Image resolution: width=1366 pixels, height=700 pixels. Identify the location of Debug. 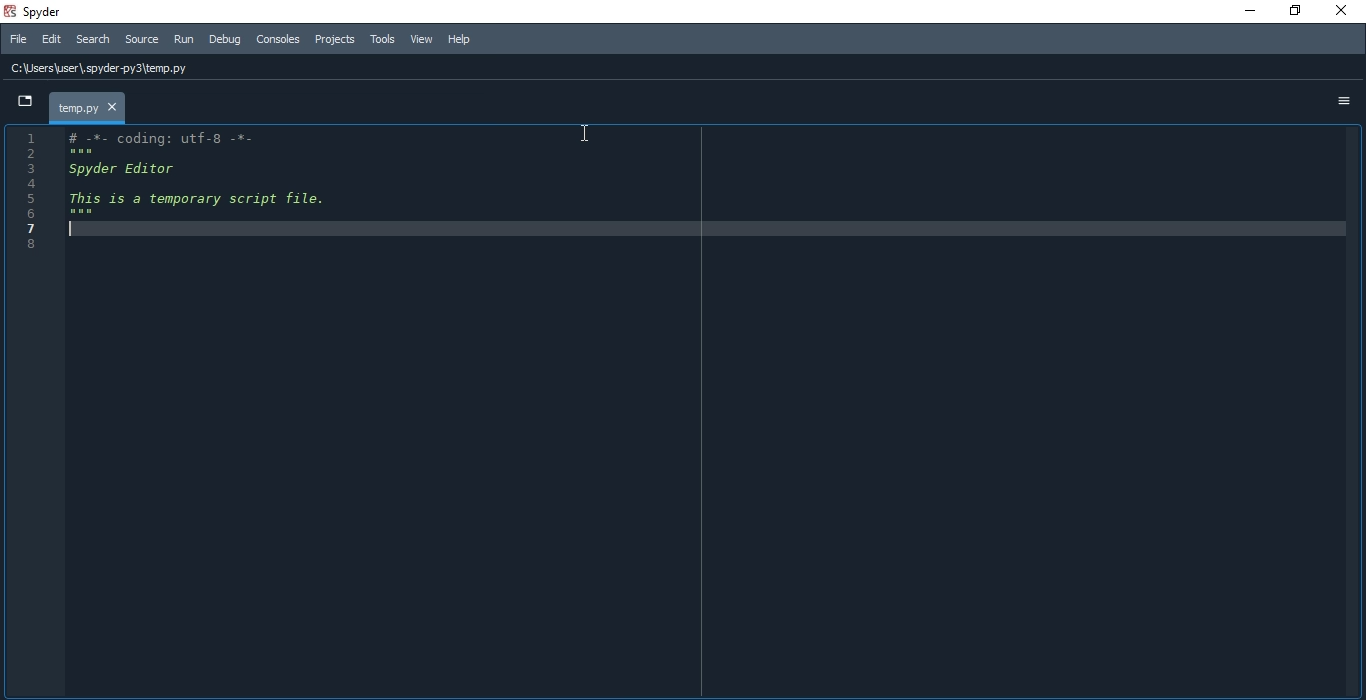
(224, 39).